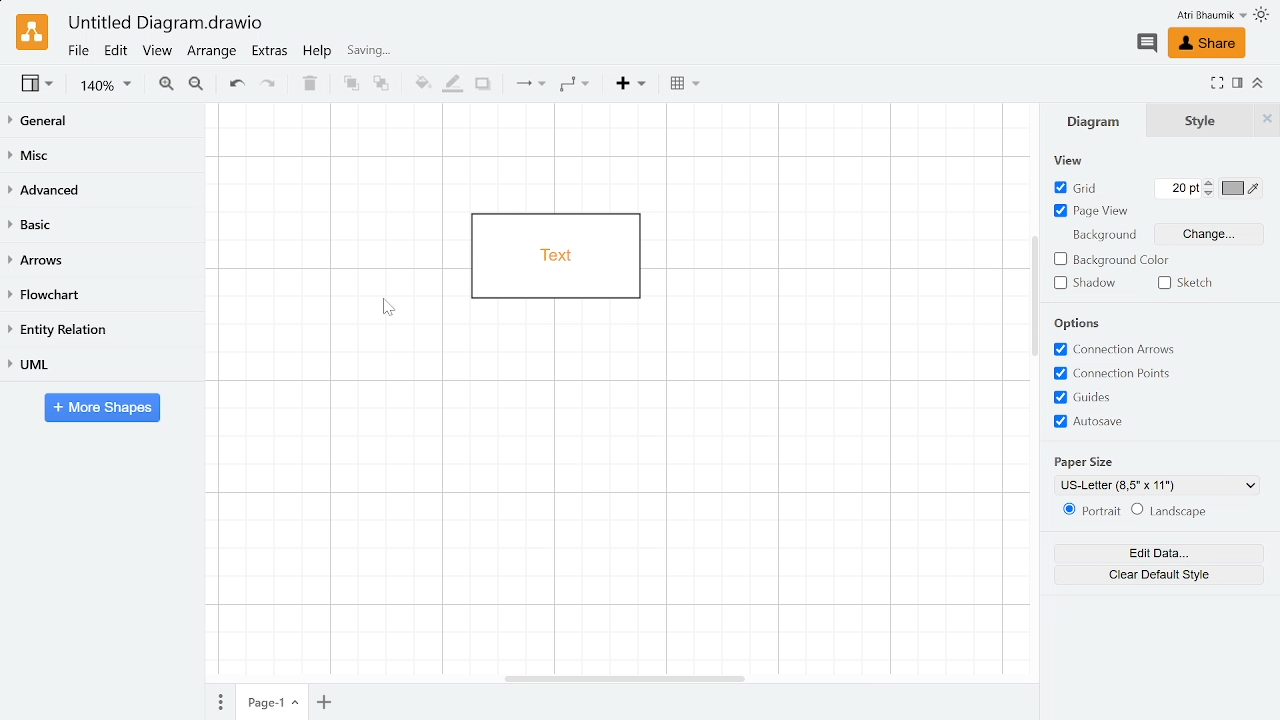  I want to click on Profile, so click(1198, 15).